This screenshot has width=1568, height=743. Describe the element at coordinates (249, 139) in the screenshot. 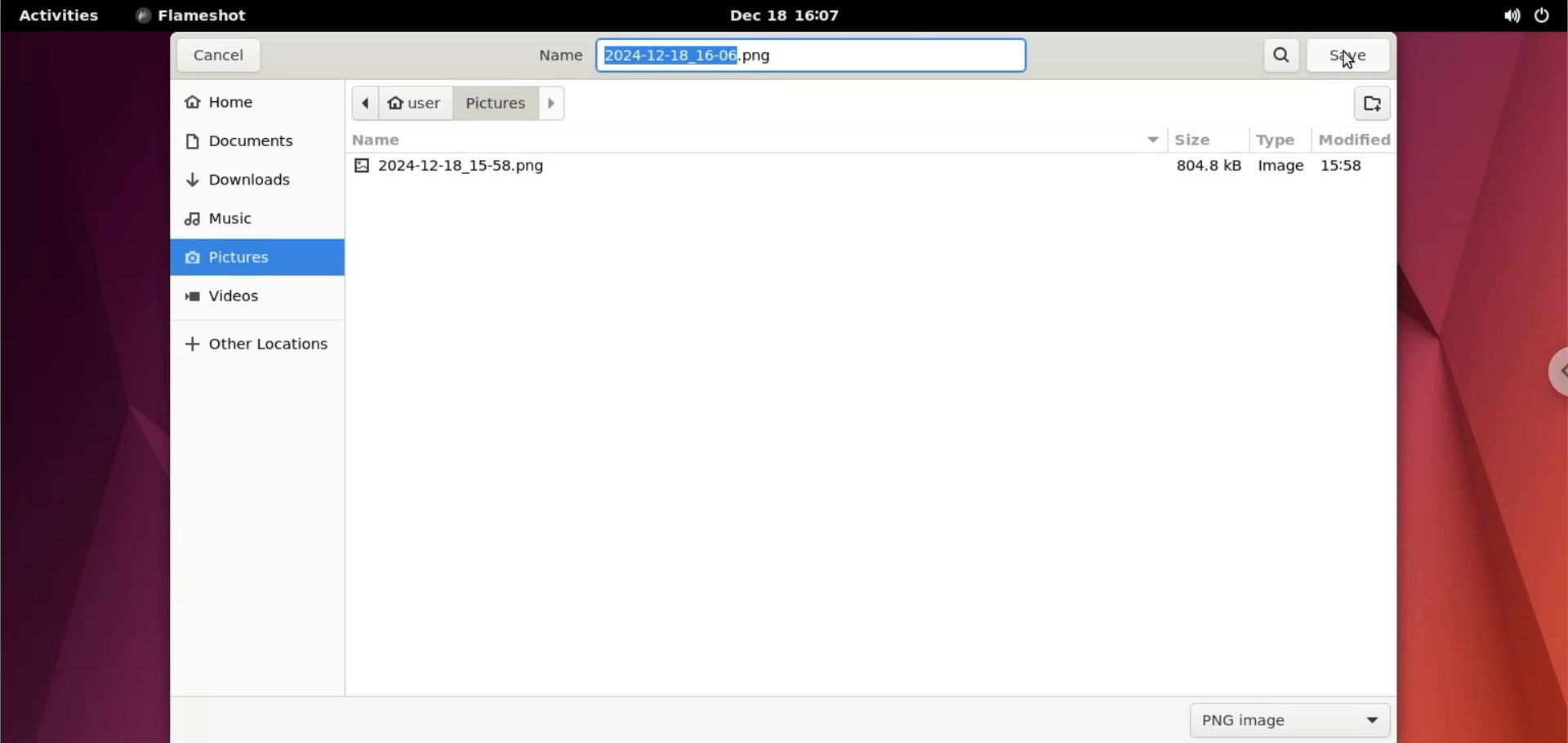

I see `documents ` at that location.